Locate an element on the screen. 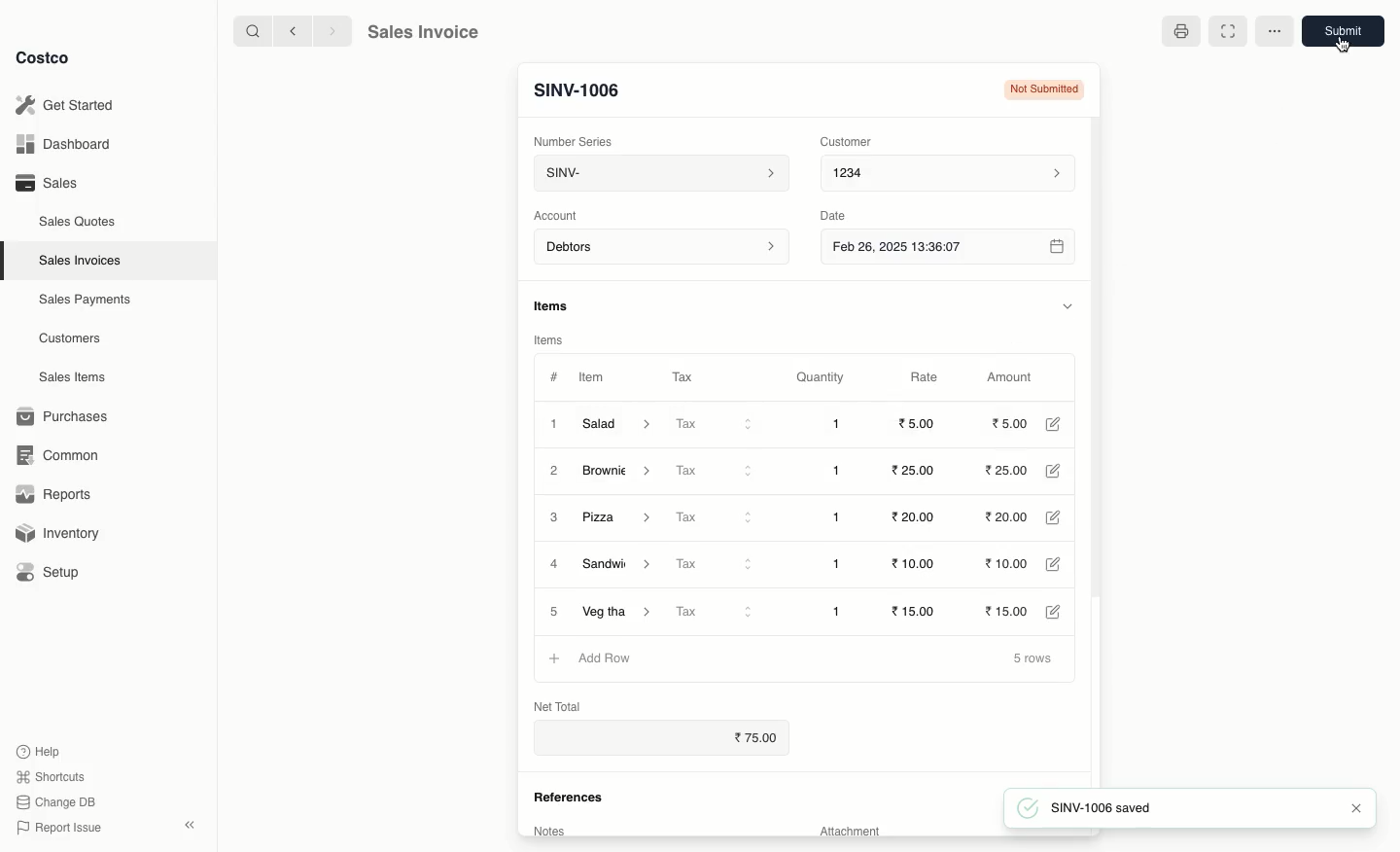 The image size is (1400, 852). Print is located at coordinates (1179, 33).